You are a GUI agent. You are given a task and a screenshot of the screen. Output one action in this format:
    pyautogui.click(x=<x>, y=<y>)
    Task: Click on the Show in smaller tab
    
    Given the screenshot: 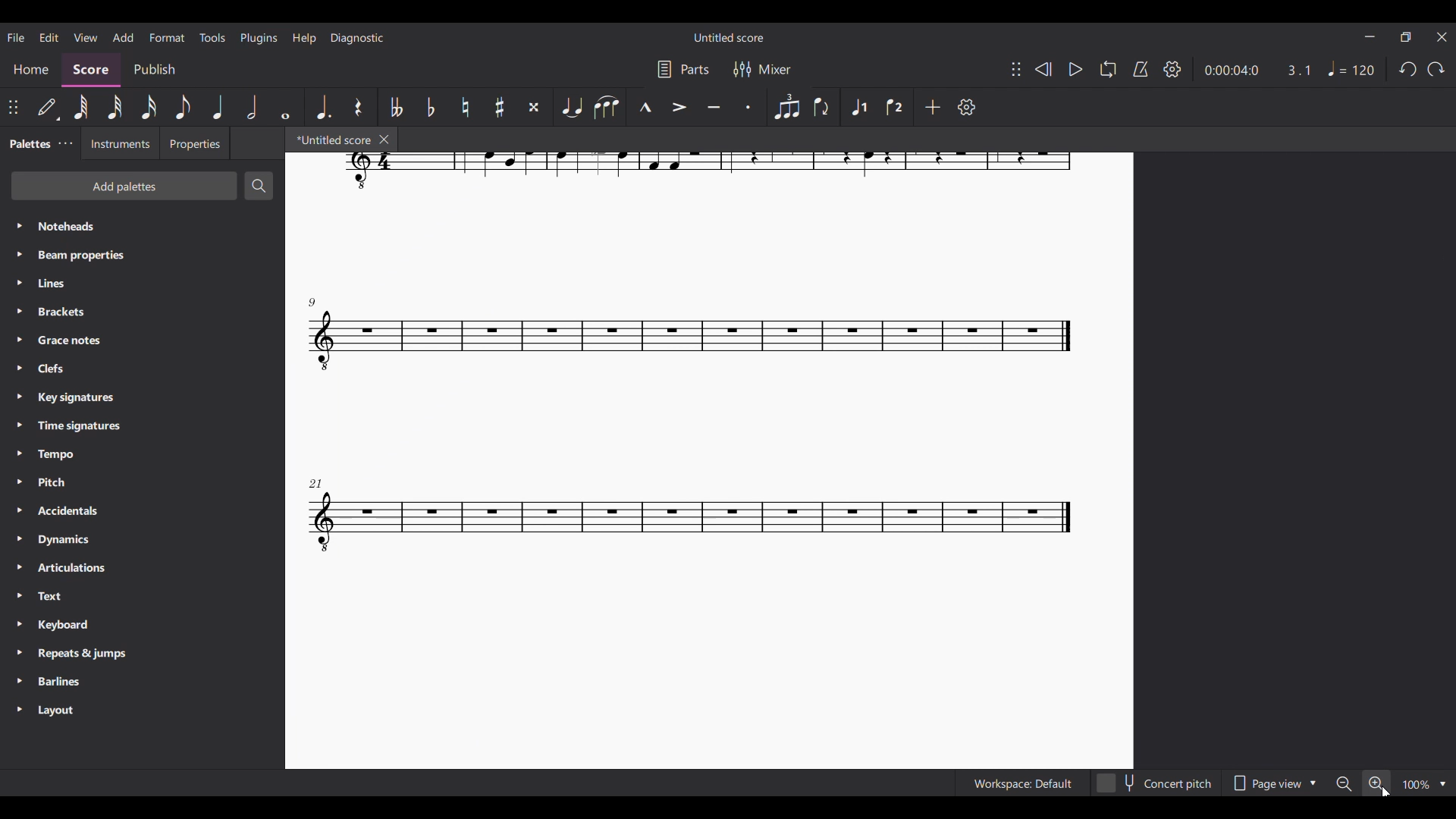 What is the action you would take?
    pyautogui.click(x=1406, y=37)
    